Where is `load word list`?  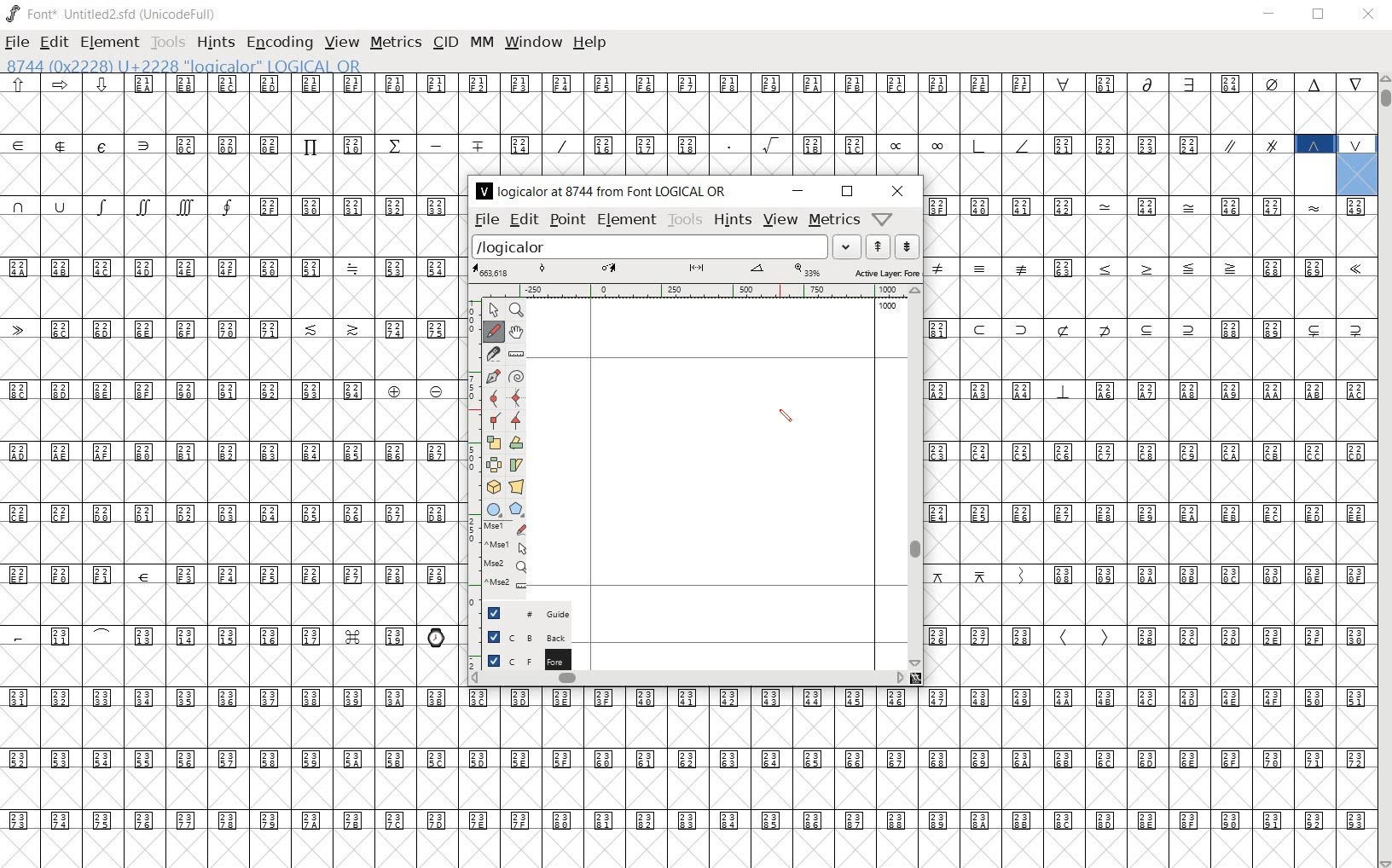 load word list is located at coordinates (667, 246).